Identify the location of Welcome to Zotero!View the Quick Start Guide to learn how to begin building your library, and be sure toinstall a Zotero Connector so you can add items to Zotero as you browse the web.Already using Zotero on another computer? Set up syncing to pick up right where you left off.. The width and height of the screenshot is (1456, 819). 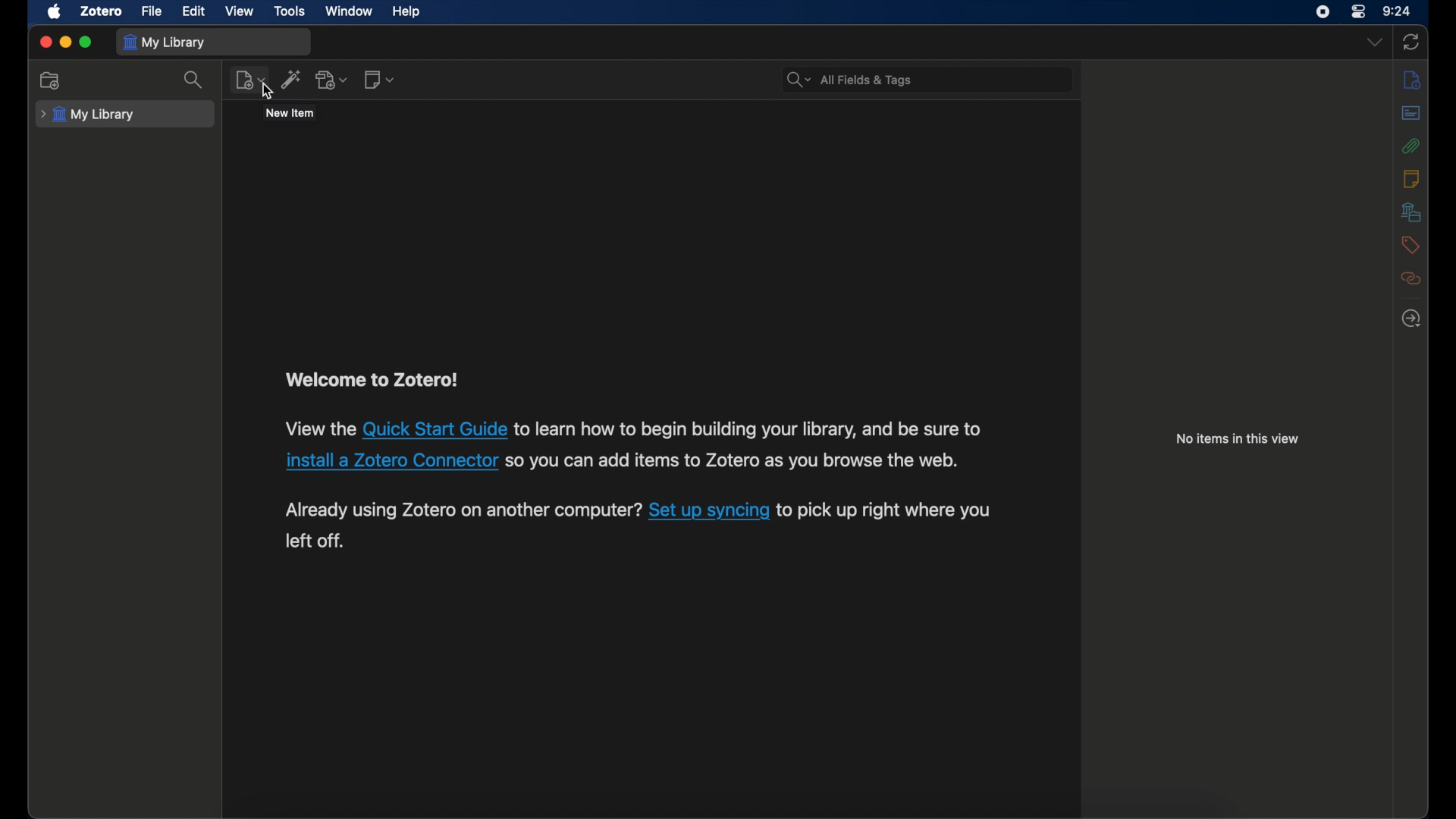
(634, 457).